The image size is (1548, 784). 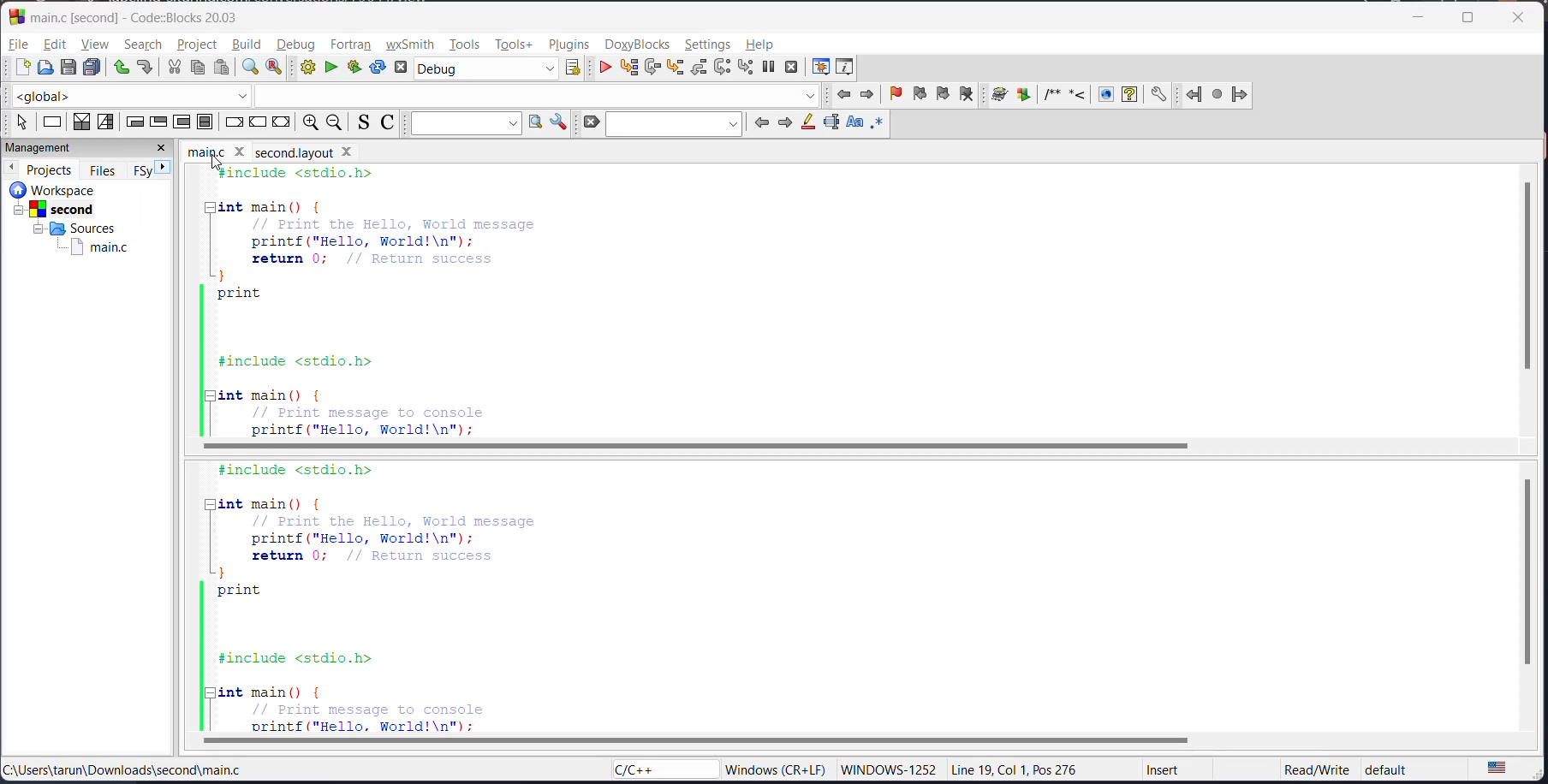 What do you see at coordinates (867, 95) in the screenshot?
I see `jump forward` at bounding box center [867, 95].